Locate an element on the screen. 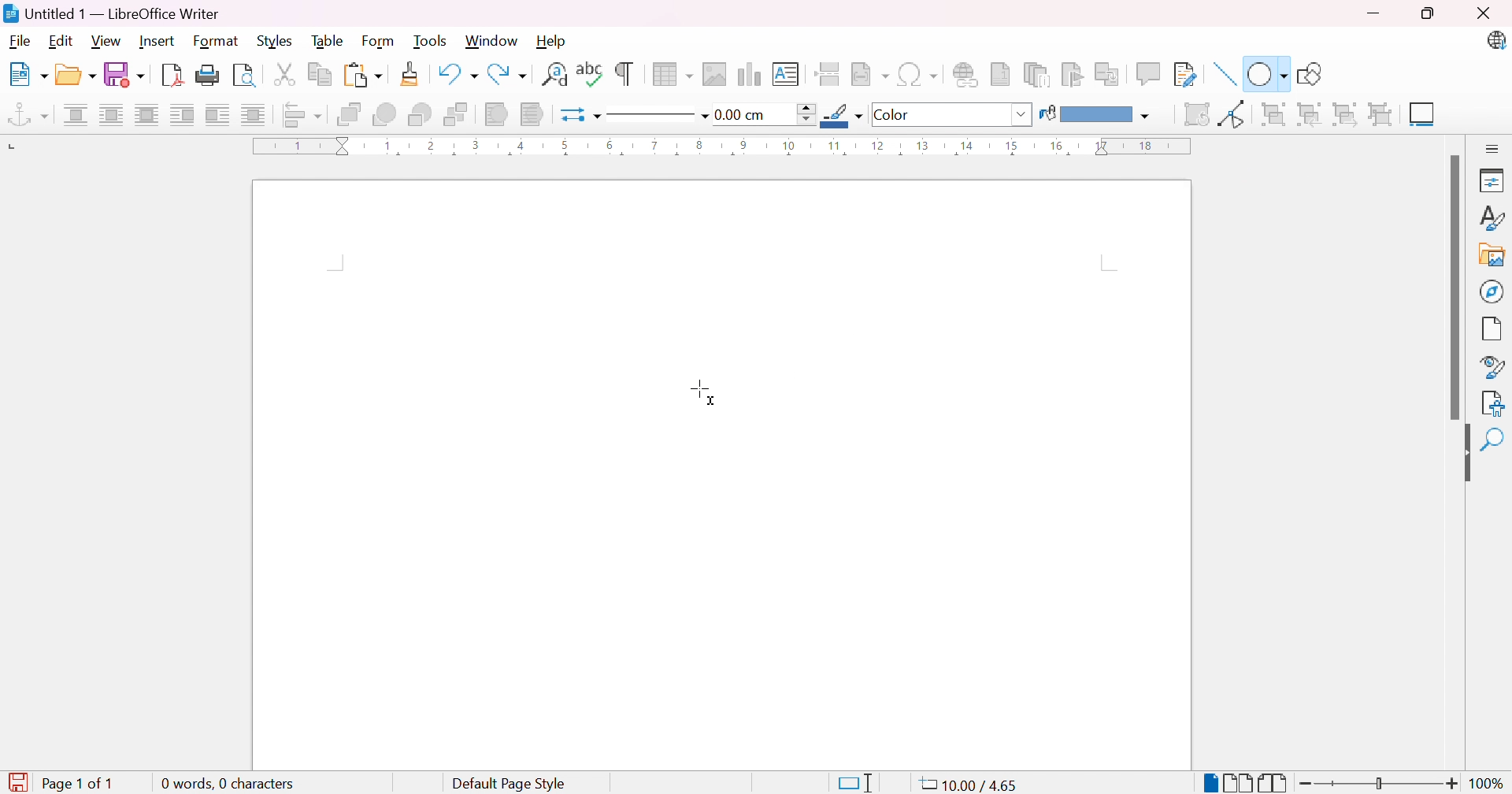  Zoom out is located at coordinates (1307, 785).